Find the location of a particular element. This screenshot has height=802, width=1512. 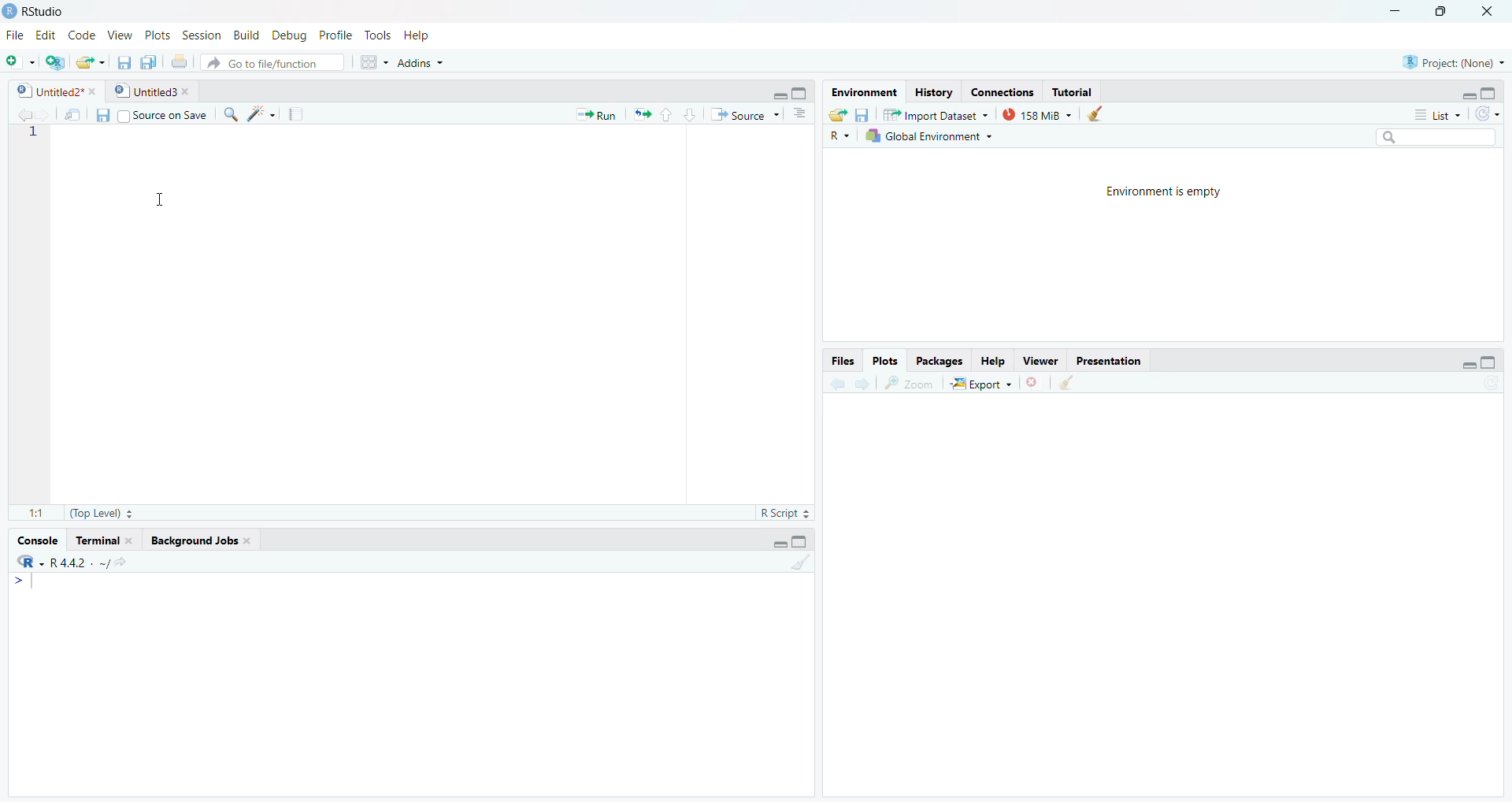

Tutorial is located at coordinates (1077, 90).